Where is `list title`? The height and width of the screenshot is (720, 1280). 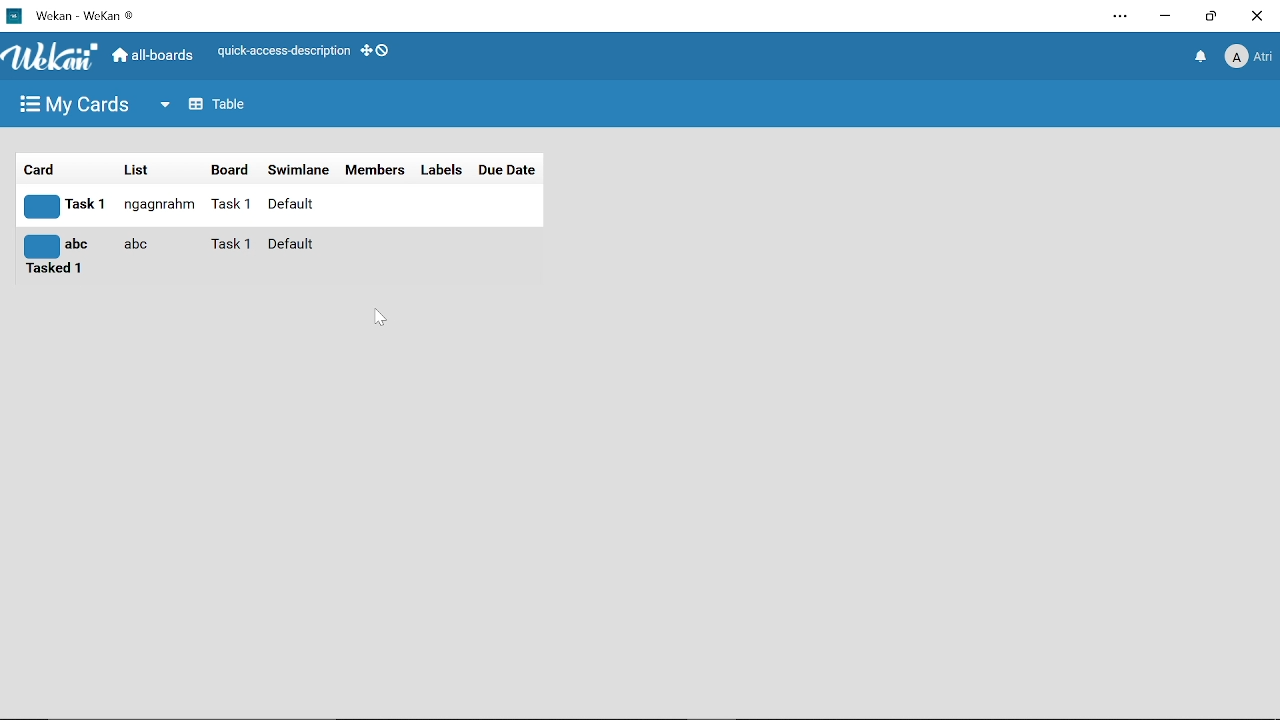
list title is located at coordinates (159, 205).